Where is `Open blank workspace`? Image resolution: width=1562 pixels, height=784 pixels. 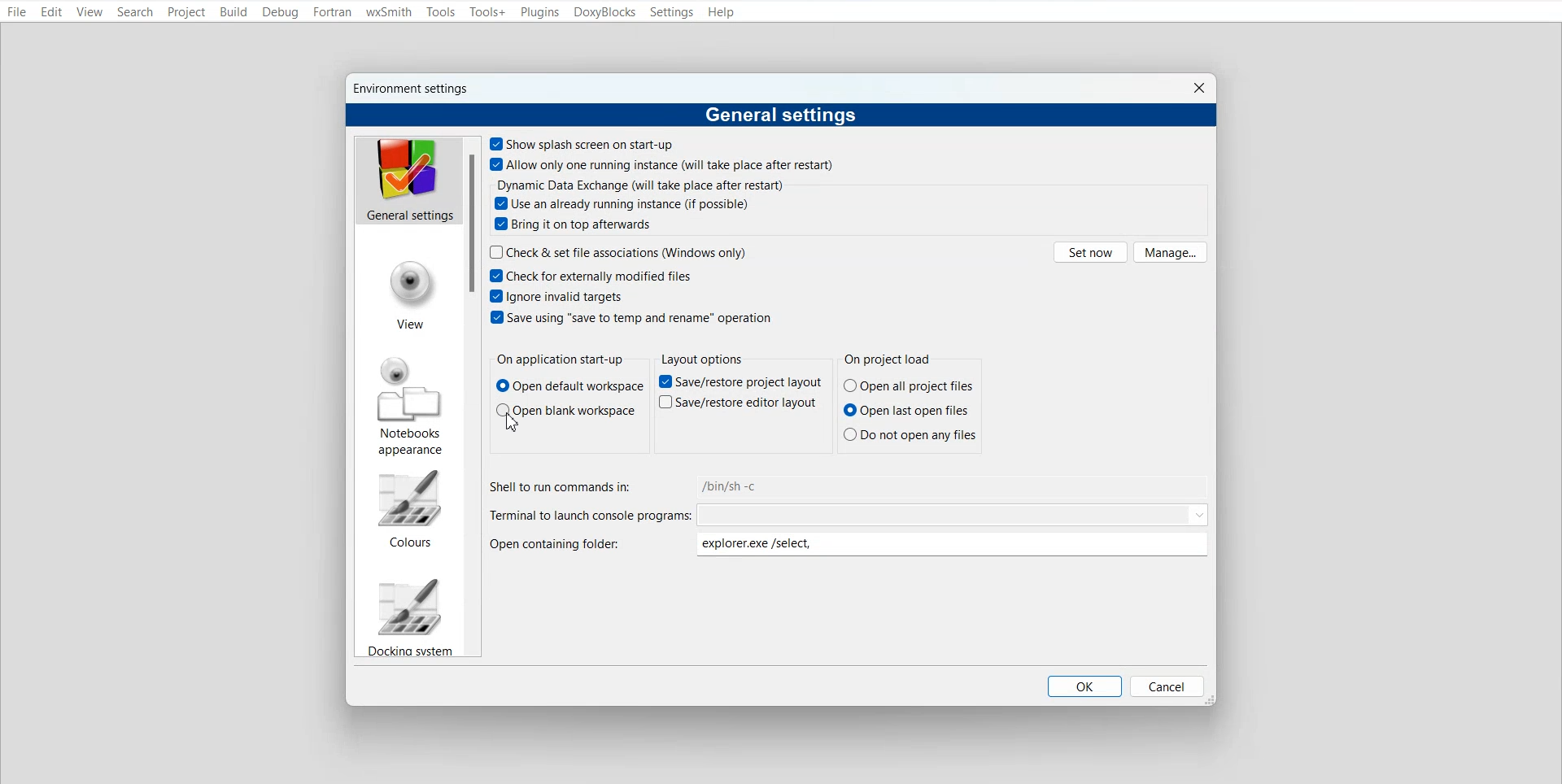 Open blank workspace is located at coordinates (565, 409).